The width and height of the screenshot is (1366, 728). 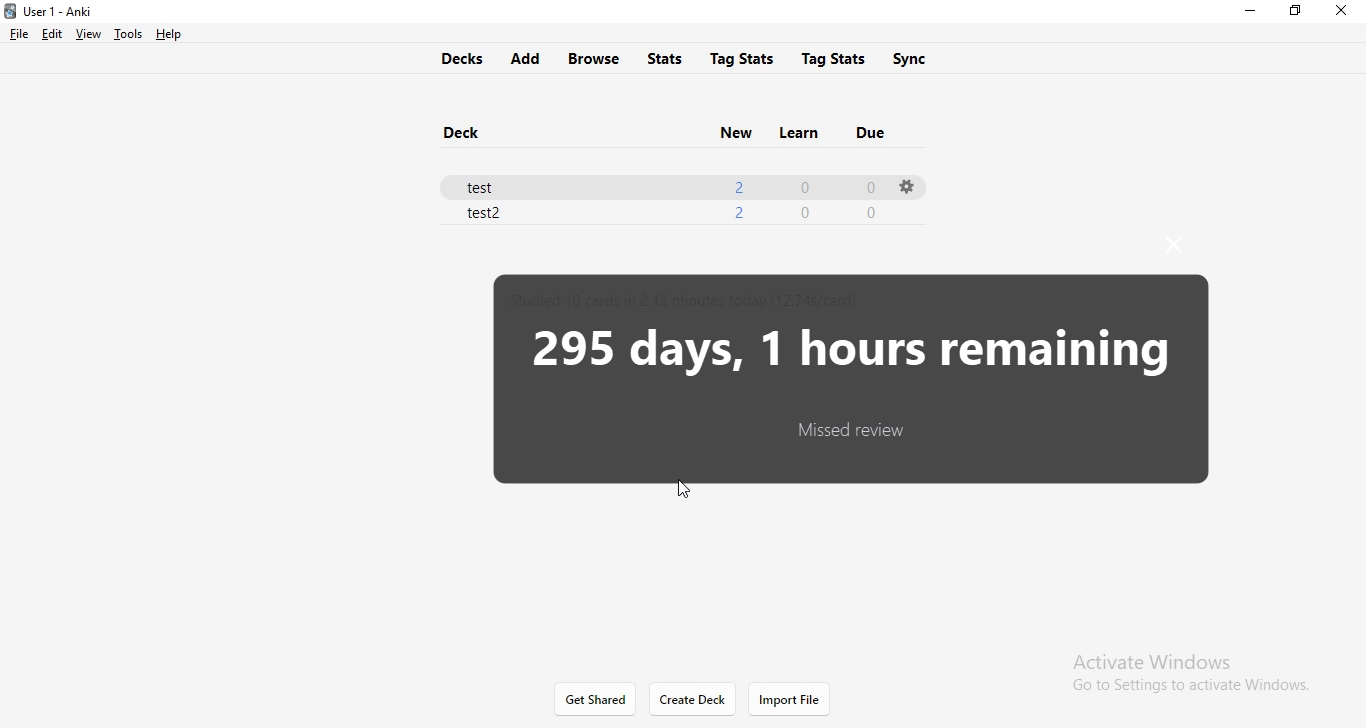 I want to click on deck, so click(x=467, y=134).